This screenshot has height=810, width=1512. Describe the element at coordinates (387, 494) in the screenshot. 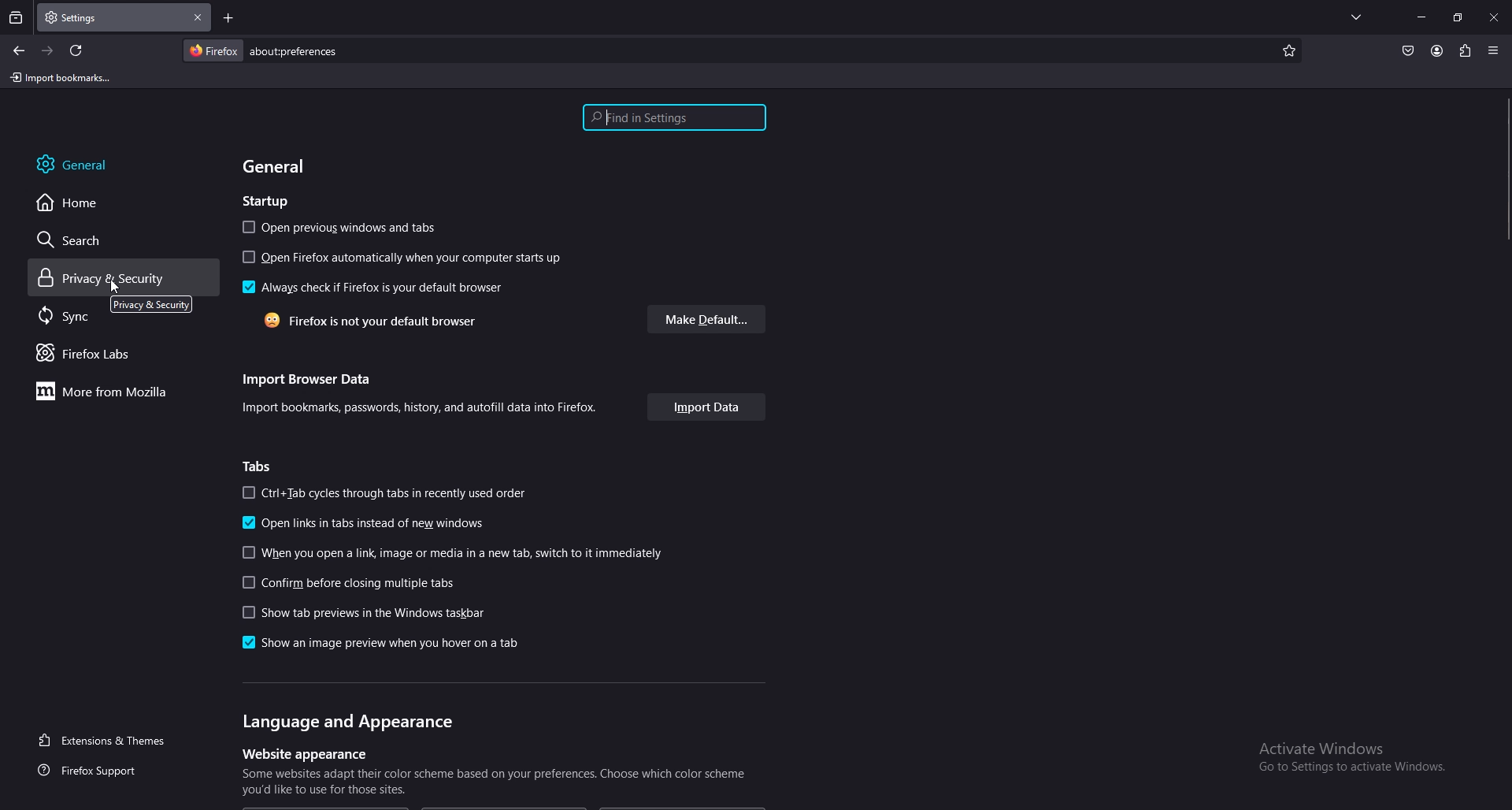

I see `ctrl+tab cycles through tabs` at that location.